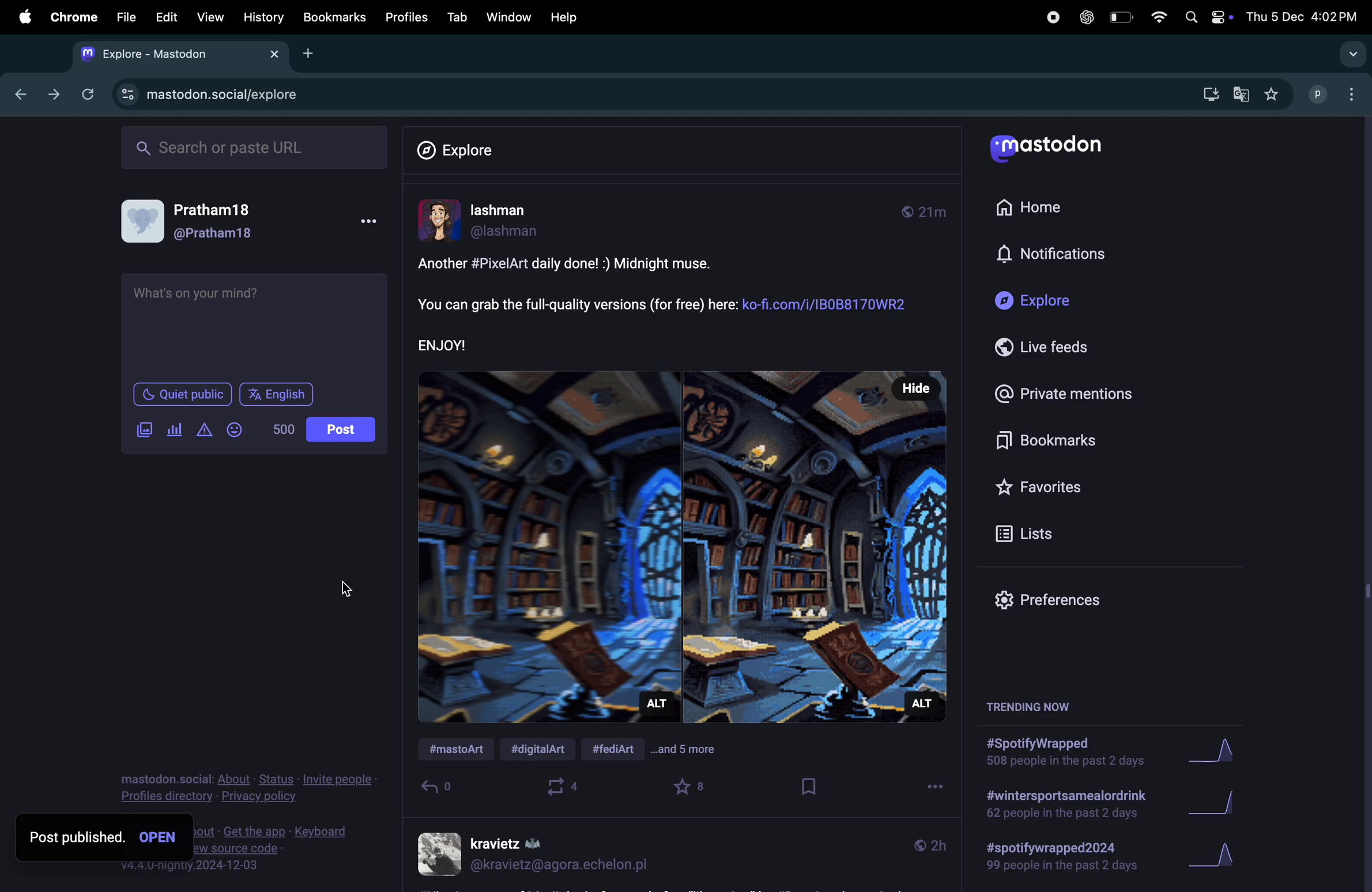 The height and width of the screenshot is (892, 1372). Describe the element at coordinates (921, 702) in the screenshot. I see `Alt description` at that location.